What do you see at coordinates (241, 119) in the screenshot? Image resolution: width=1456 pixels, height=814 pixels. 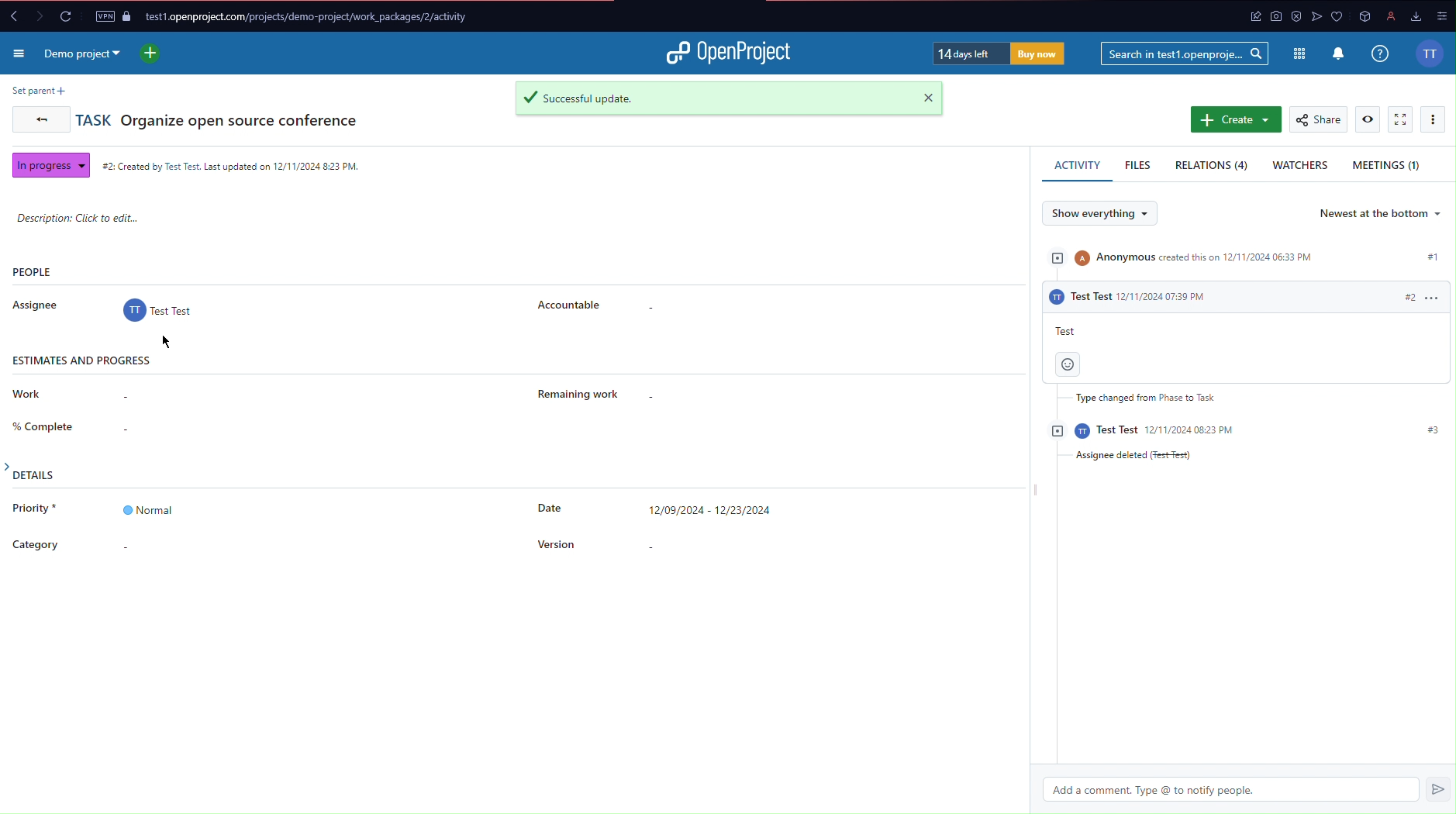 I see `Organize open source conference` at bounding box center [241, 119].